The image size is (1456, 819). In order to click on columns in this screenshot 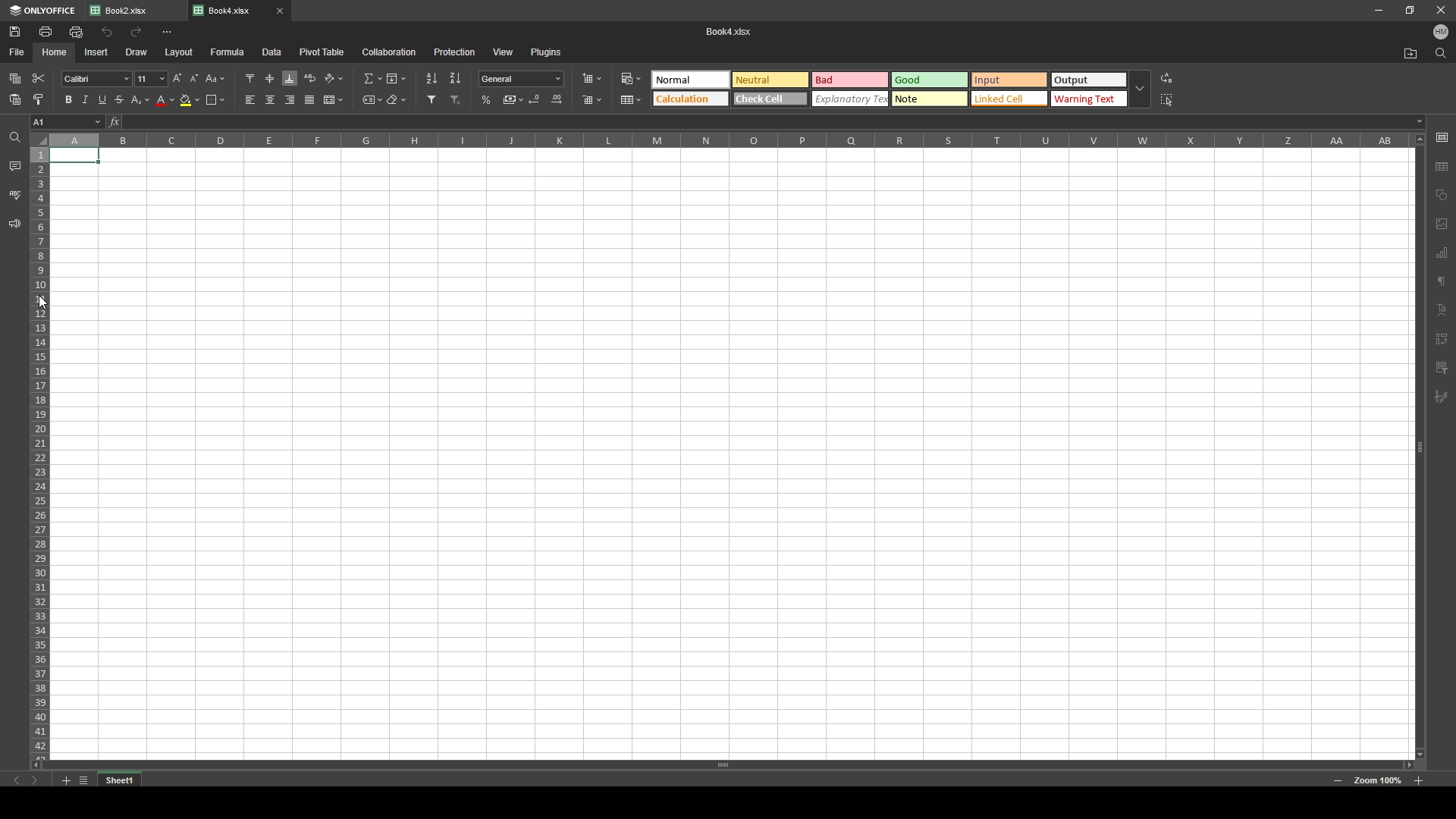, I will do `click(730, 140)`.